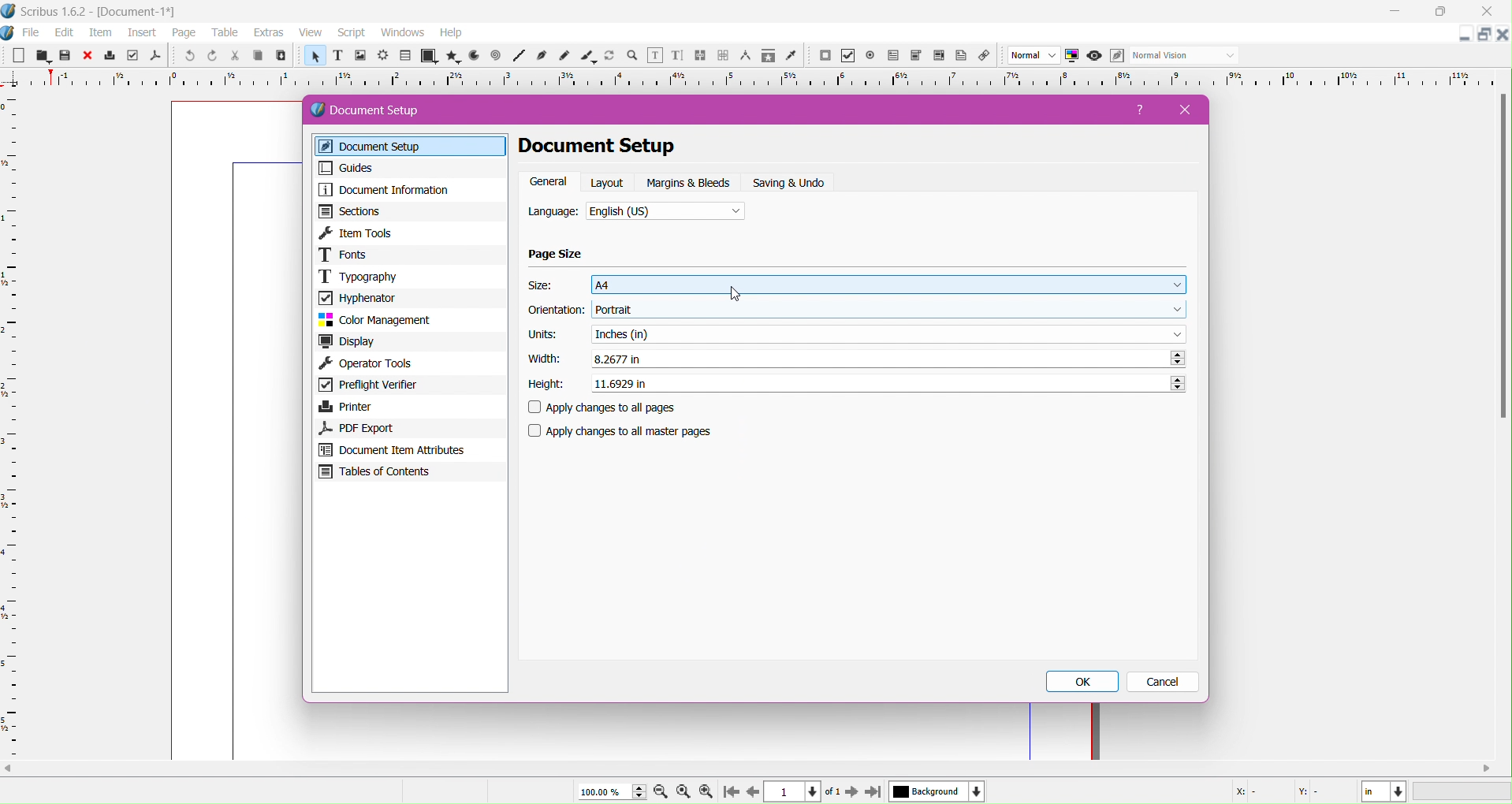 This screenshot has width=1512, height=804. I want to click on arc, so click(471, 56).